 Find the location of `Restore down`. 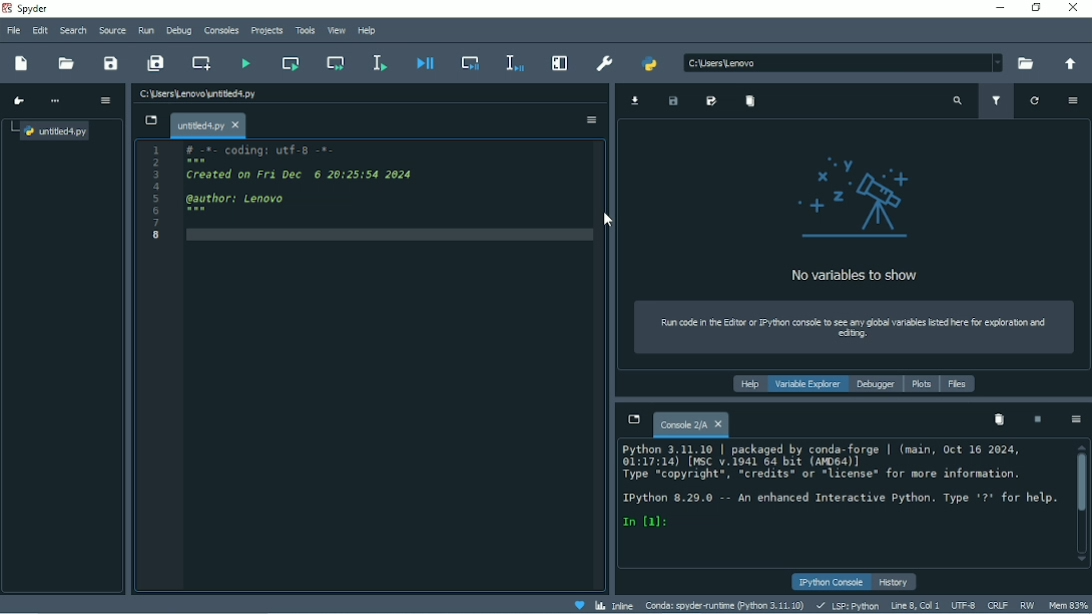

Restore down is located at coordinates (1036, 9).